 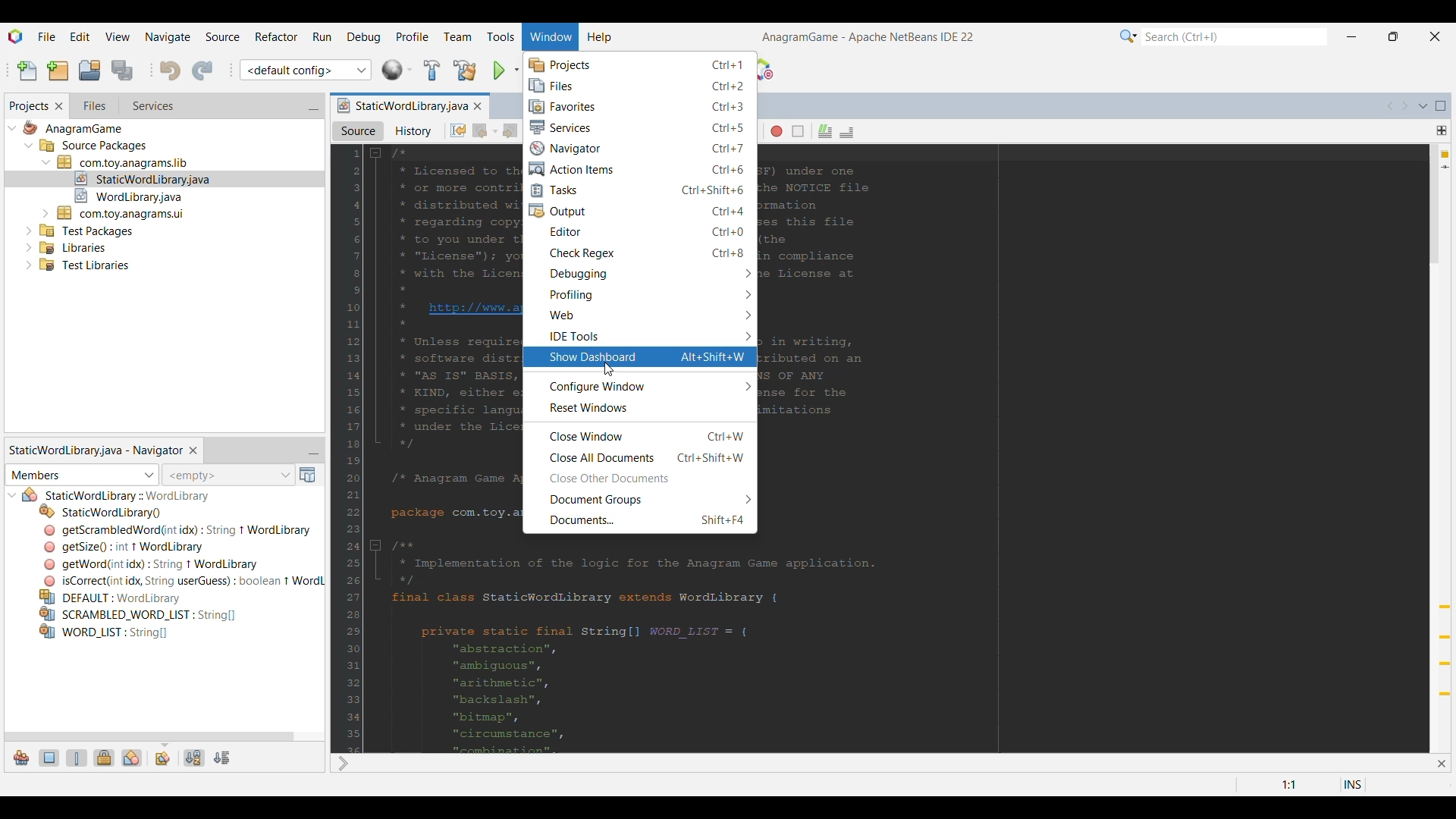 I want to click on Run project options, so click(x=516, y=70).